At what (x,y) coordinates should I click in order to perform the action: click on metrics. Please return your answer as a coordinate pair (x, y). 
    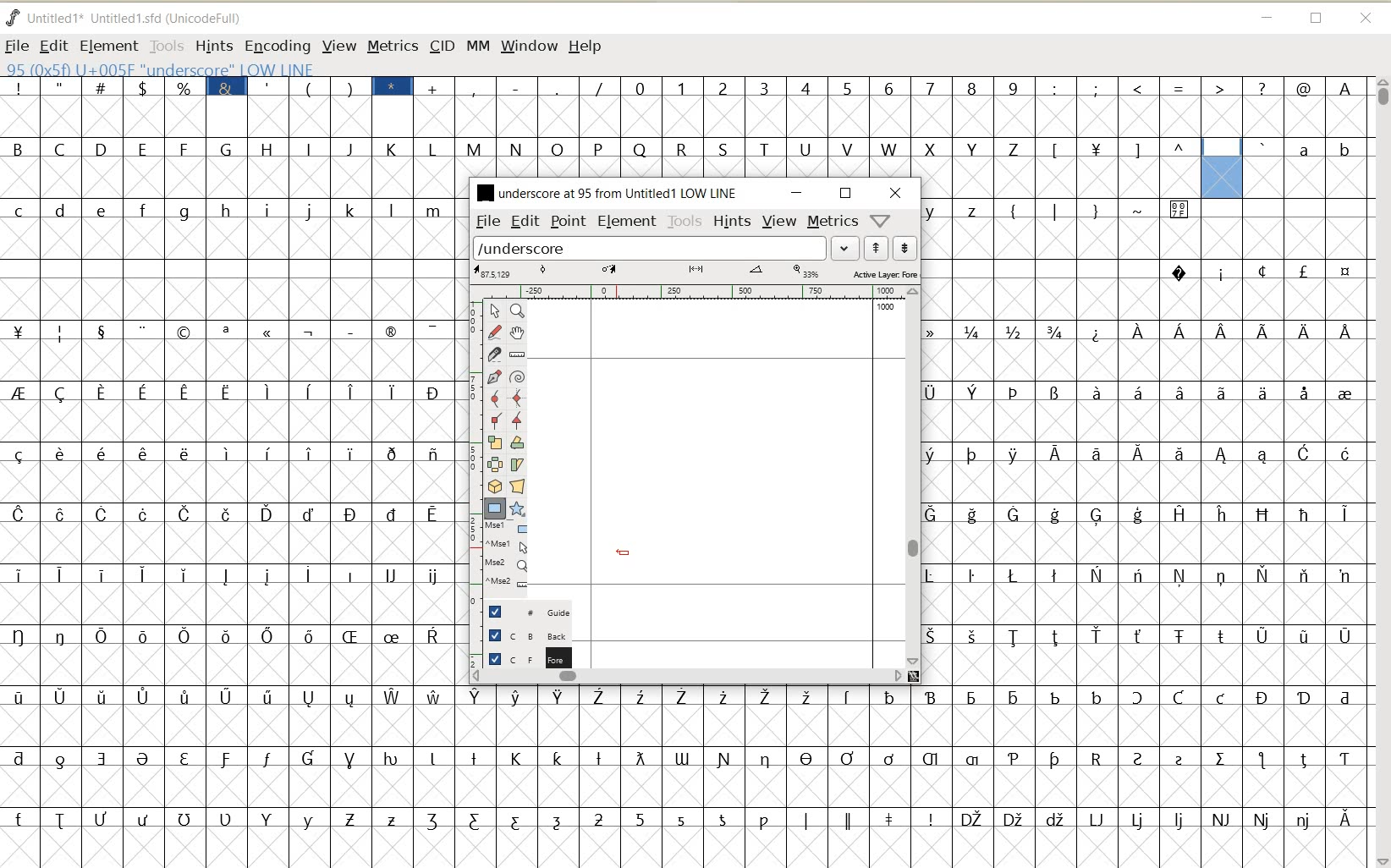
    Looking at the image, I should click on (832, 220).